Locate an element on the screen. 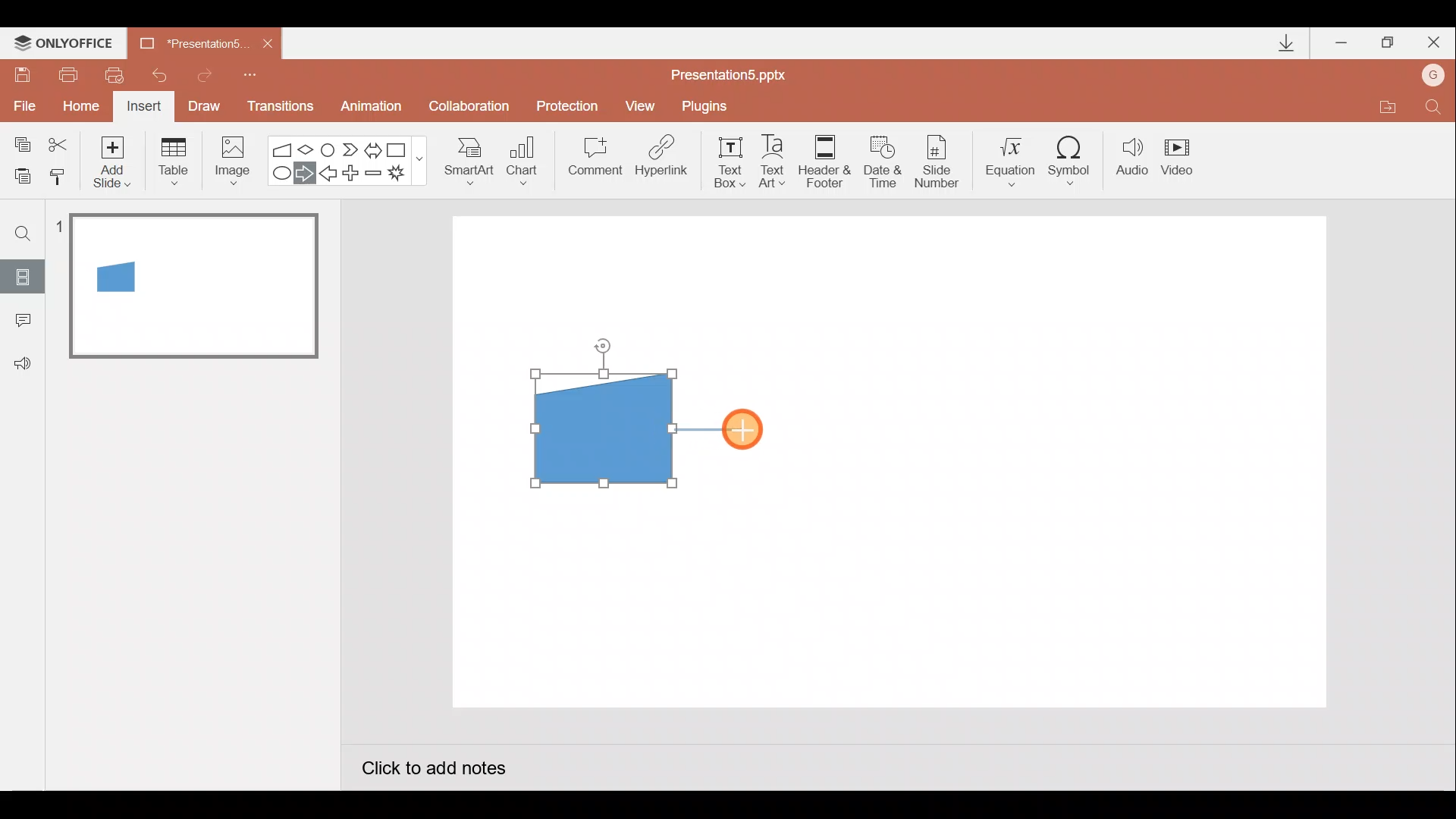  Text box is located at coordinates (725, 160).